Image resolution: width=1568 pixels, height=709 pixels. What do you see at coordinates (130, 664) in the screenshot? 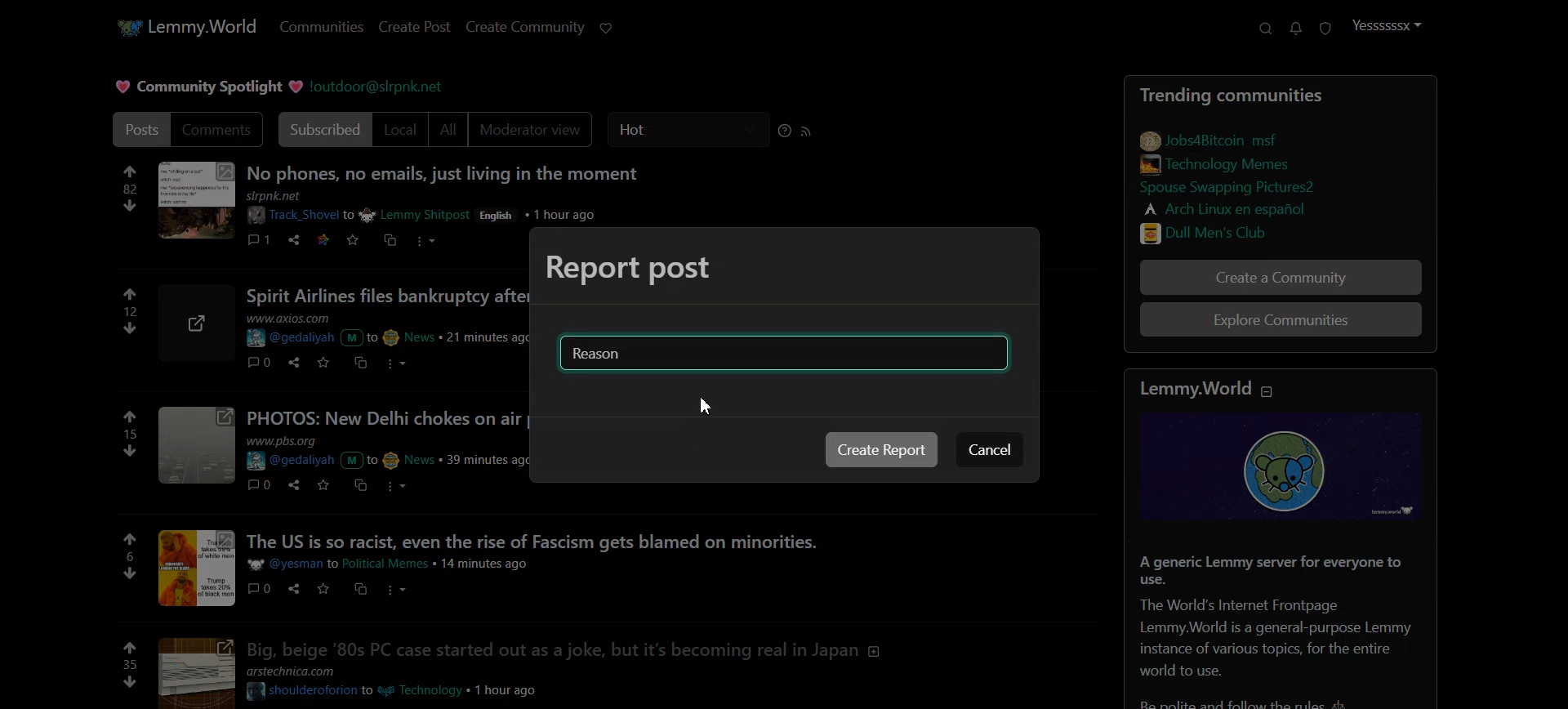
I see `numbers` at bounding box center [130, 664].